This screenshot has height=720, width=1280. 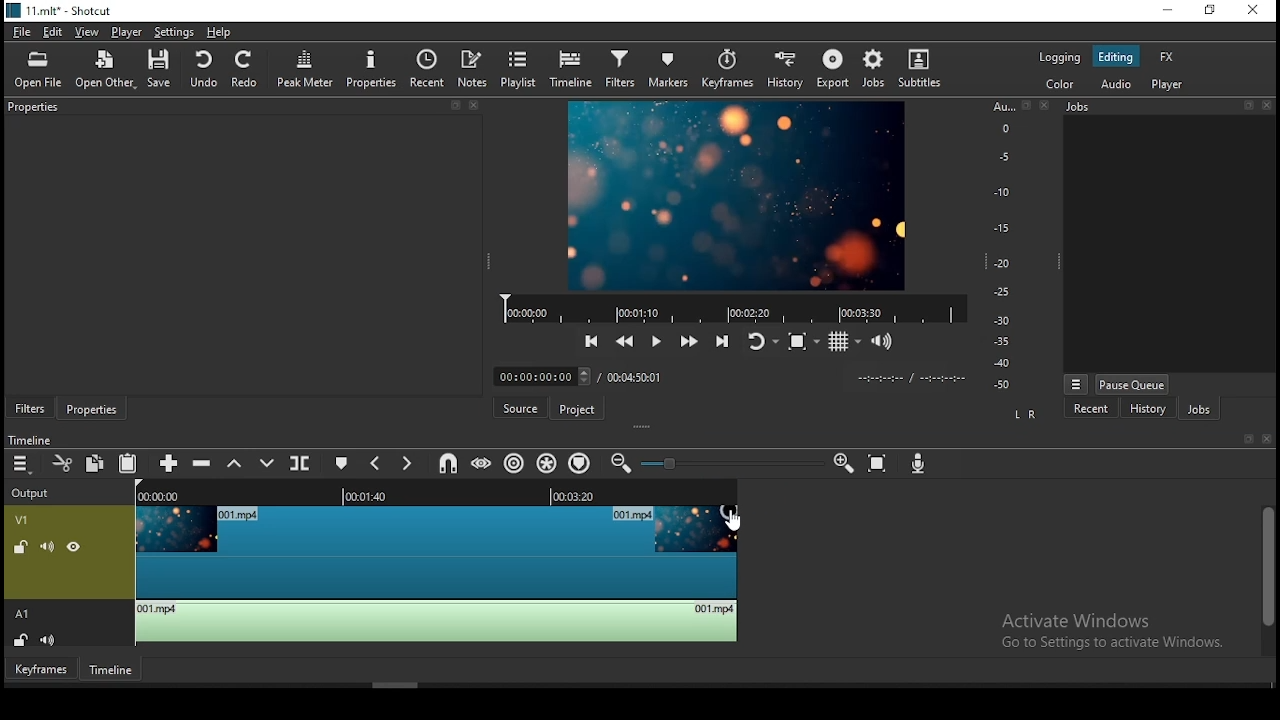 What do you see at coordinates (29, 406) in the screenshot?
I see `filters` at bounding box center [29, 406].